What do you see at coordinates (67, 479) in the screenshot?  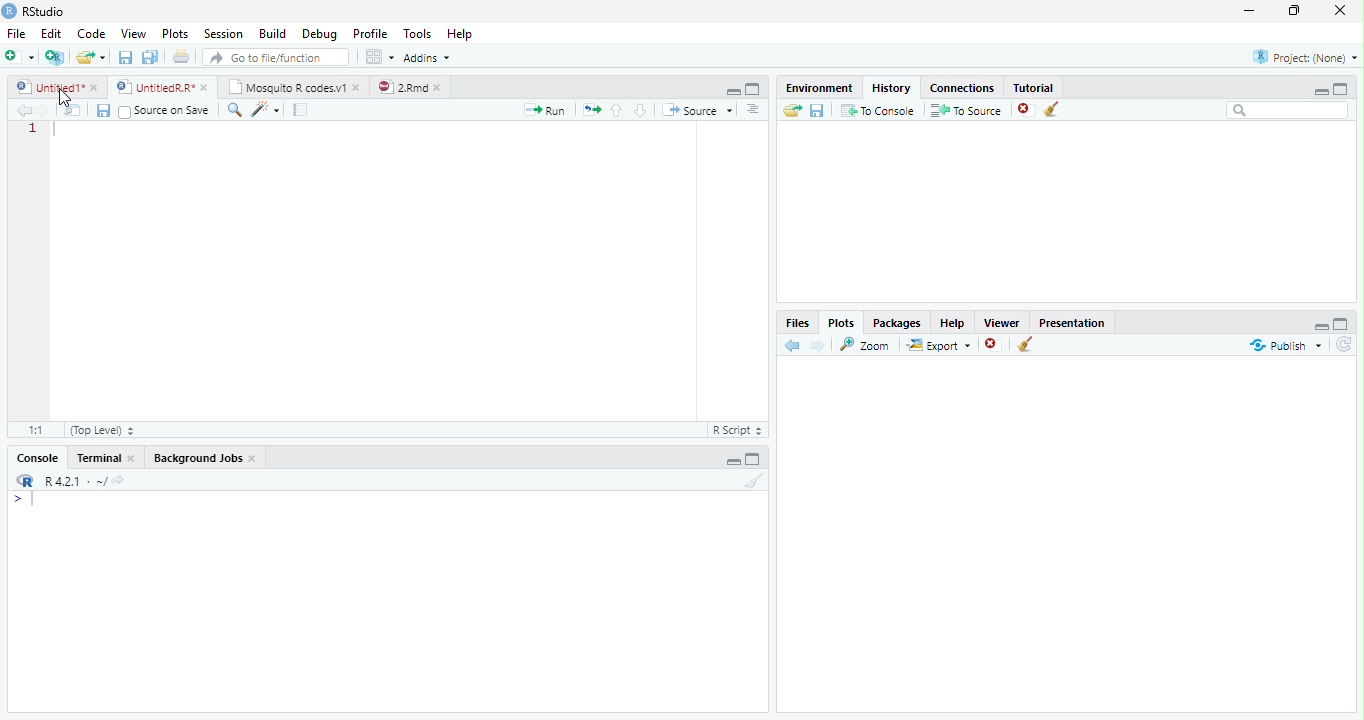 I see `R 4.2.1 ~/` at bounding box center [67, 479].